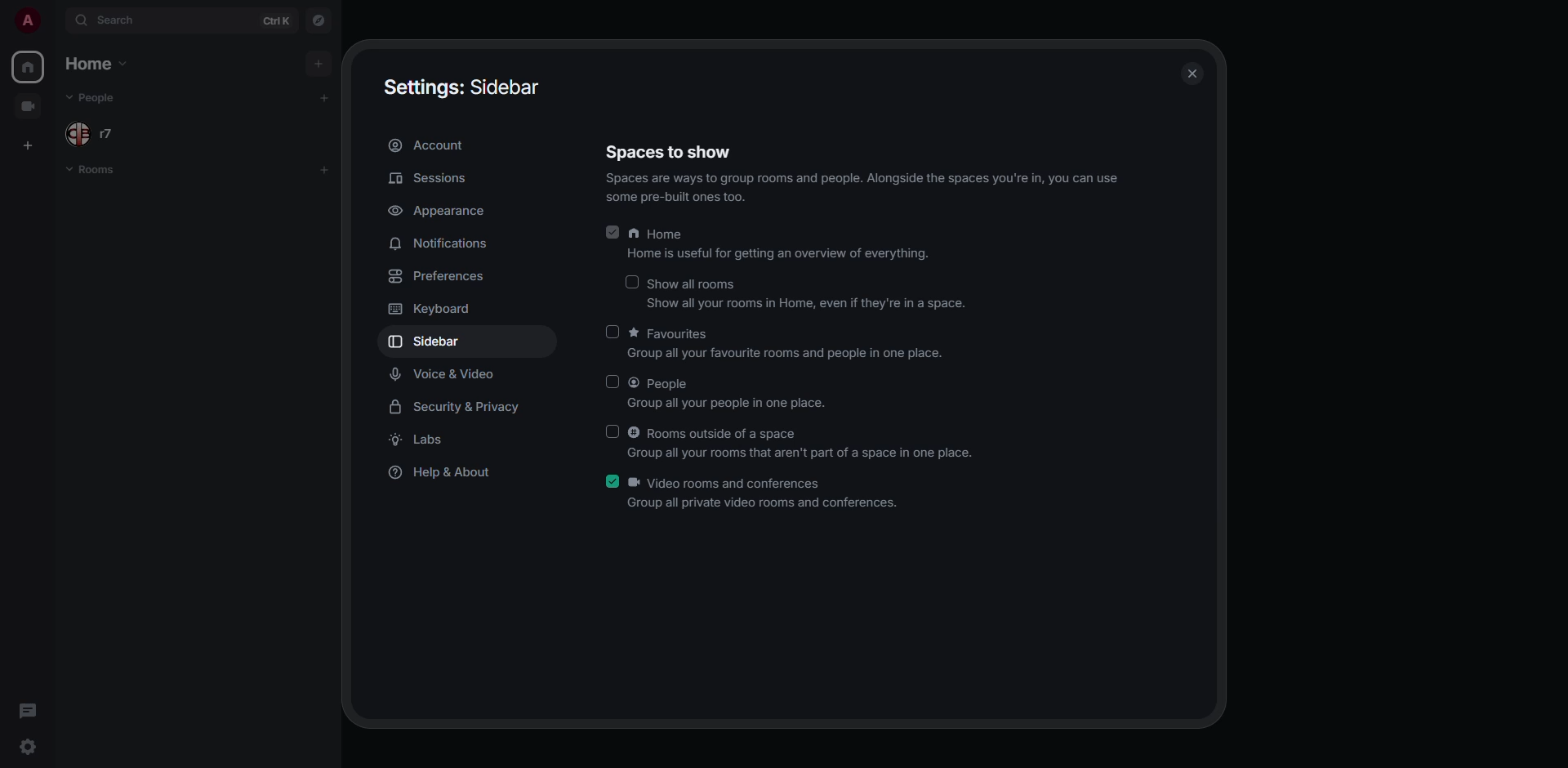 The image size is (1568, 768). Describe the element at coordinates (771, 493) in the screenshot. I see `video rooms and conferences` at that location.